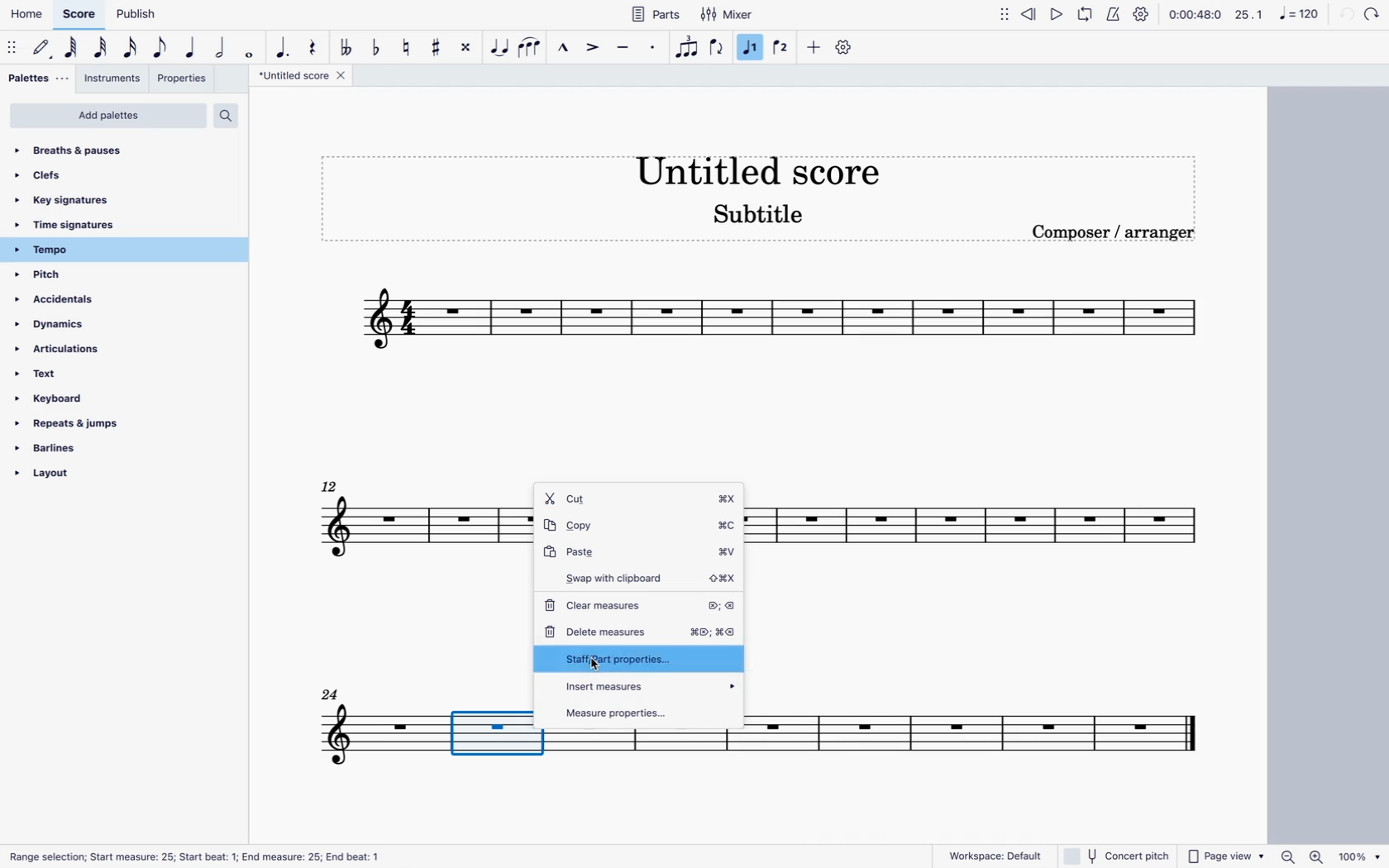  I want to click on 64th note, so click(73, 47).